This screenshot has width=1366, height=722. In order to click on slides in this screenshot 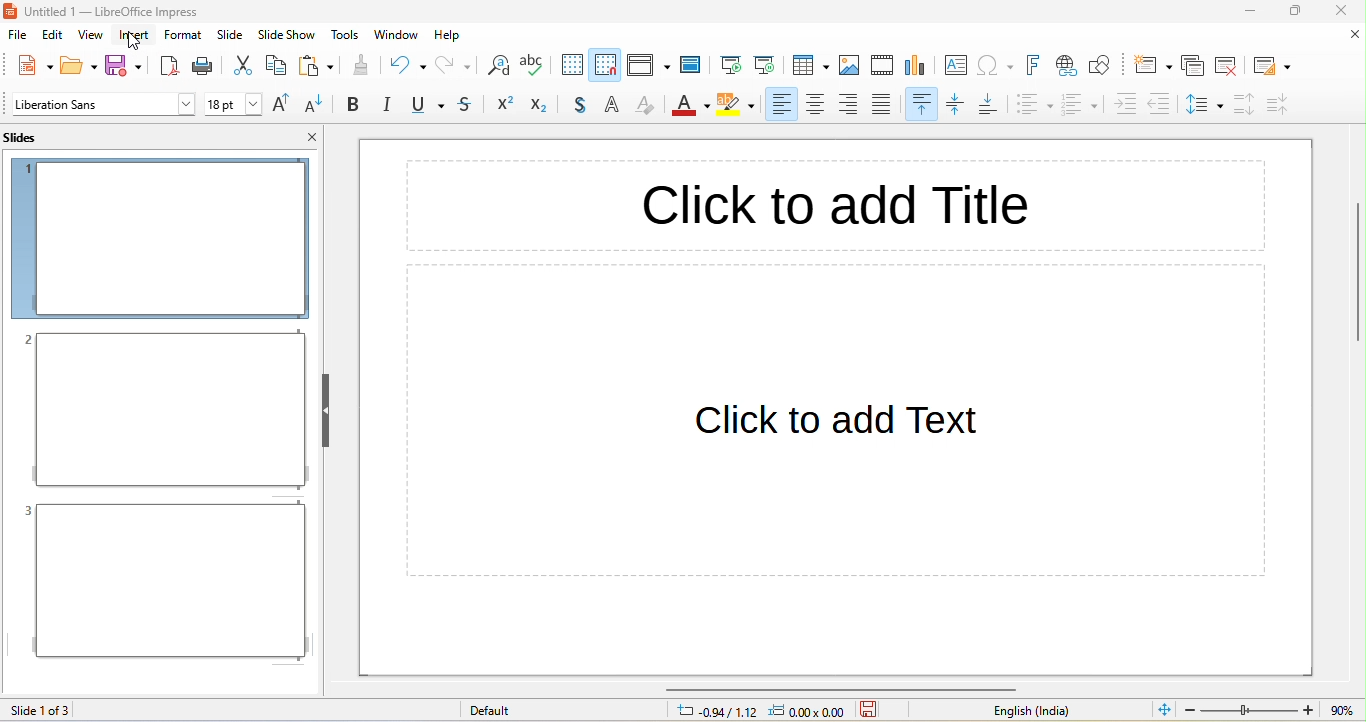, I will do `click(32, 137)`.